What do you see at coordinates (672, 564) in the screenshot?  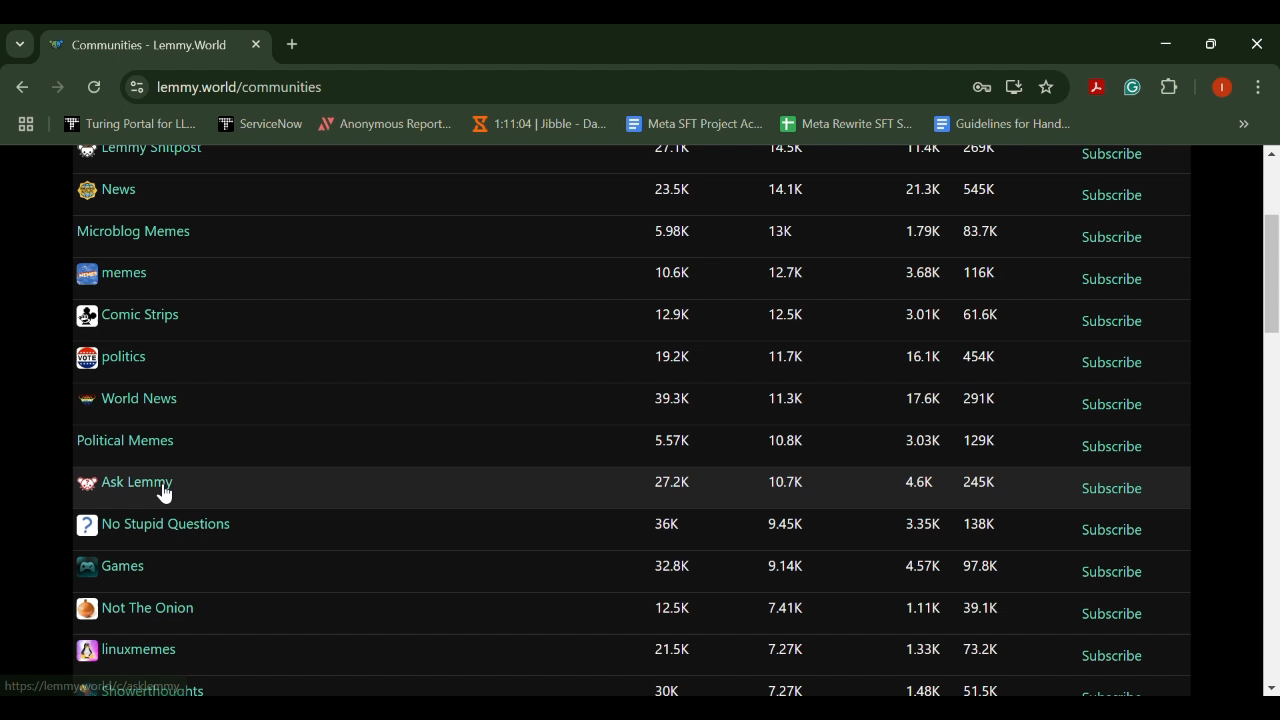 I see `32.8K` at bounding box center [672, 564].